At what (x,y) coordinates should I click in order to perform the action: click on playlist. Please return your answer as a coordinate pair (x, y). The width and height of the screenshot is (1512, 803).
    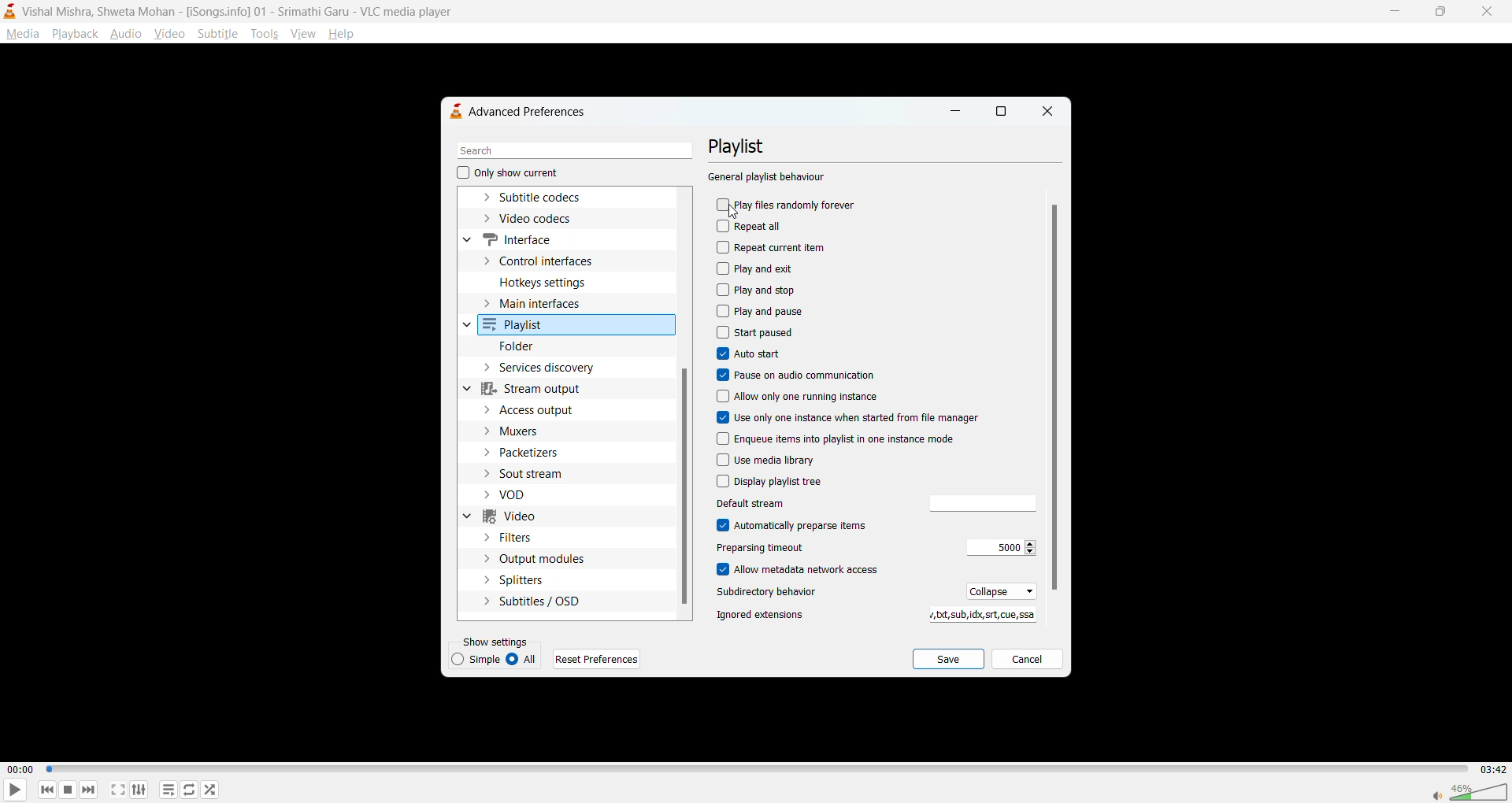
    Looking at the image, I should click on (171, 790).